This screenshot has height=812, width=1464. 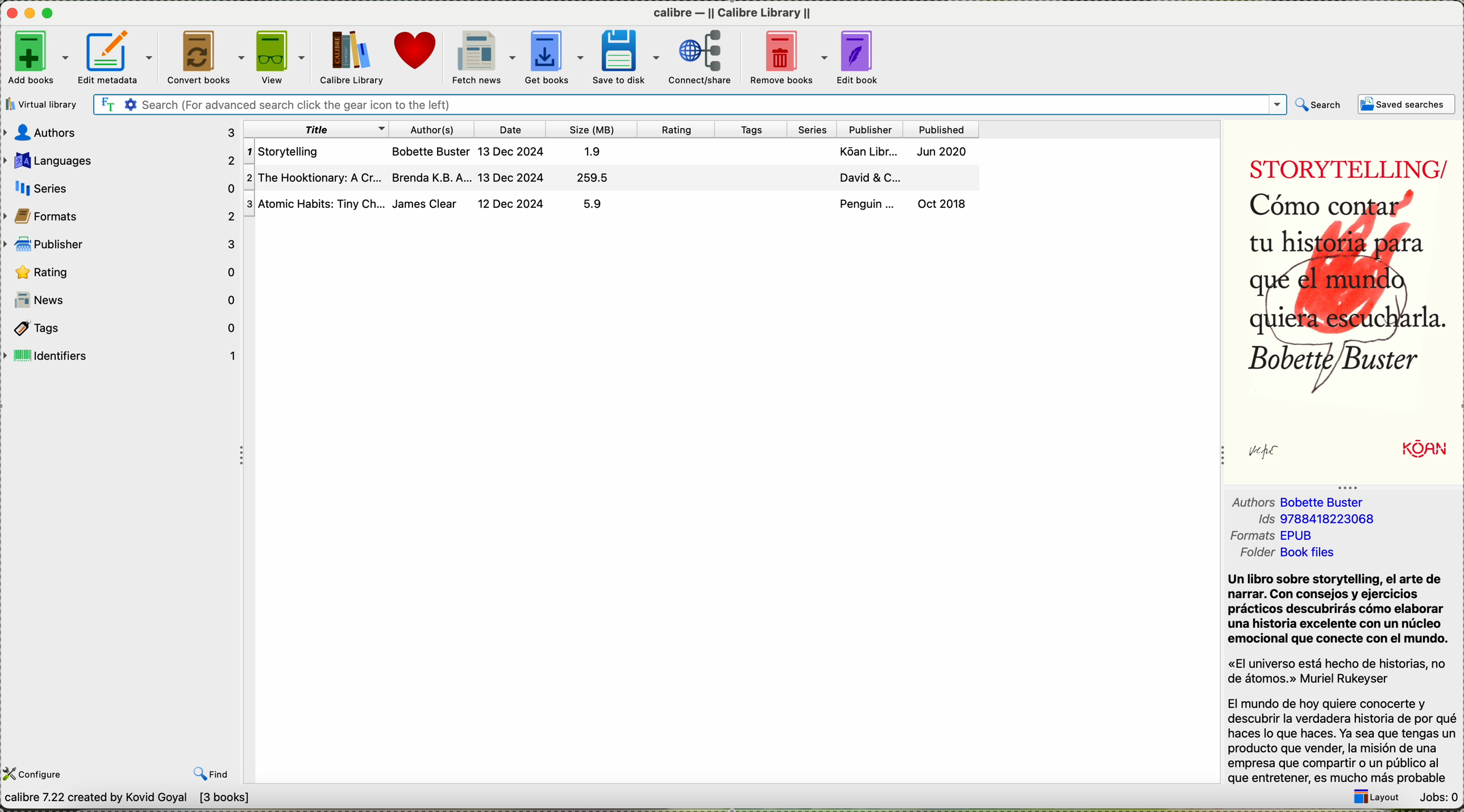 I want to click on Book Files, so click(x=1309, y=554).